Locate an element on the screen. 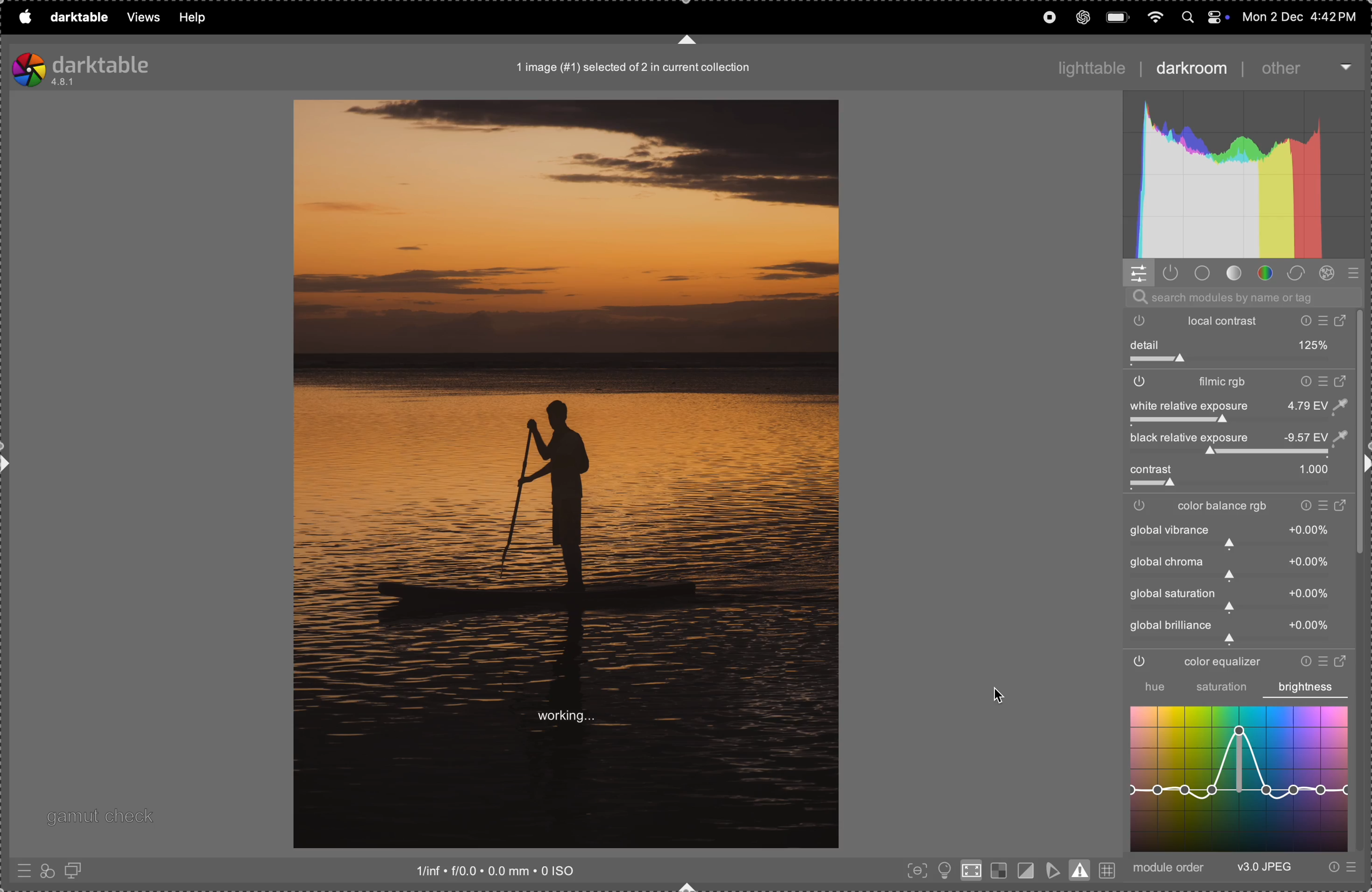  correct is located at coordinates (1299, 273).